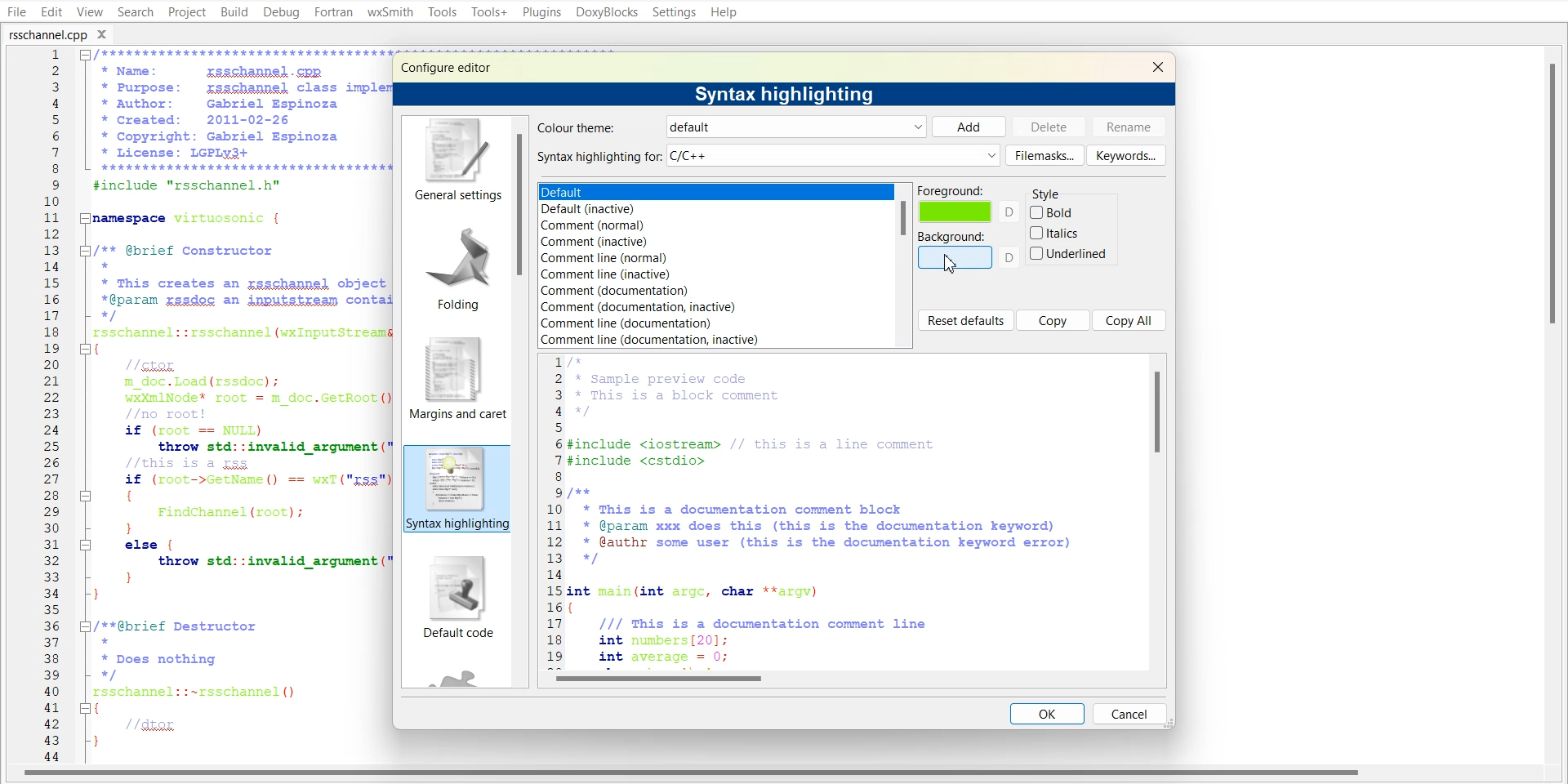 This screenshot has height=784, width=1568. Describe the element at coordinates (1129, 713) in the screenshot. I see `Cancel` at that location.